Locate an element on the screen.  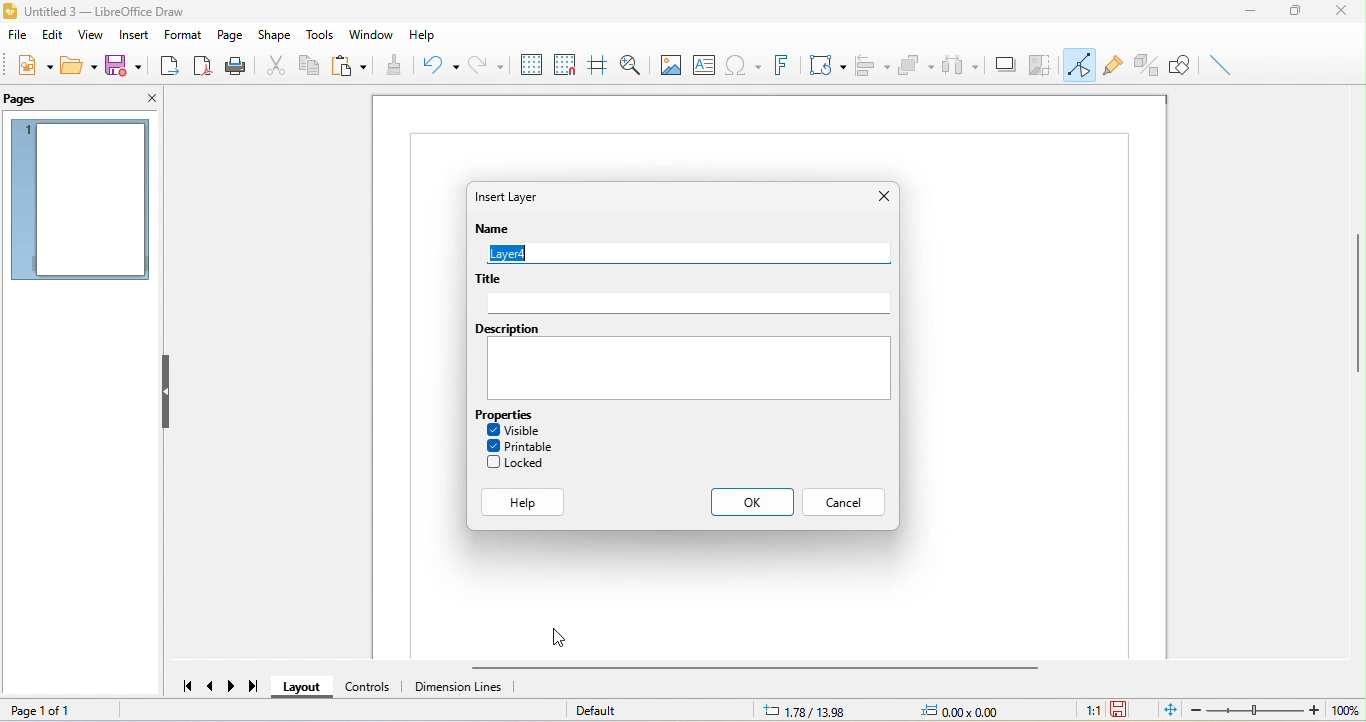
show draw function is located at coordinates (1182, 65).